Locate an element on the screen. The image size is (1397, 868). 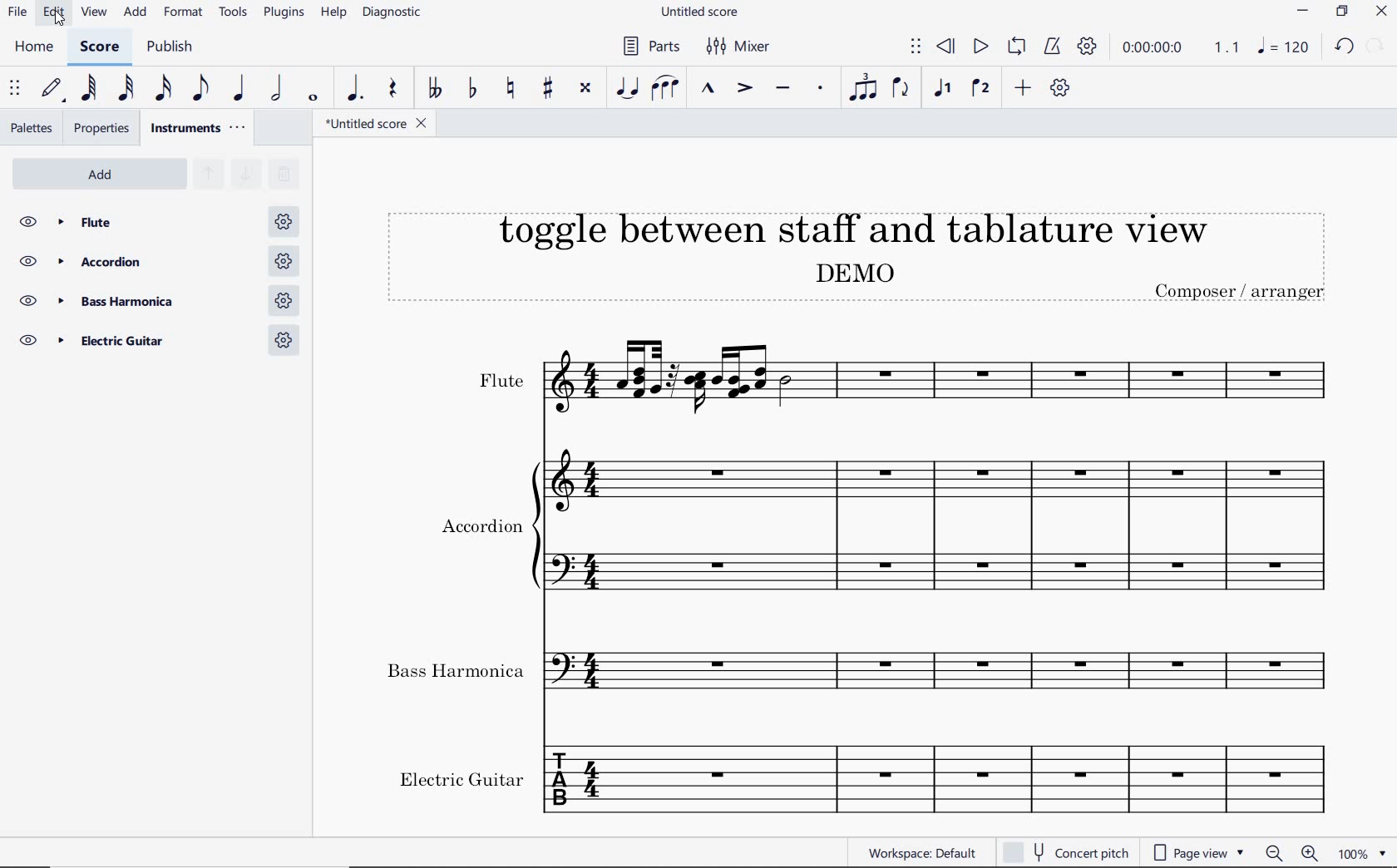
CLOSE  is located at coordinates (1383, 13).